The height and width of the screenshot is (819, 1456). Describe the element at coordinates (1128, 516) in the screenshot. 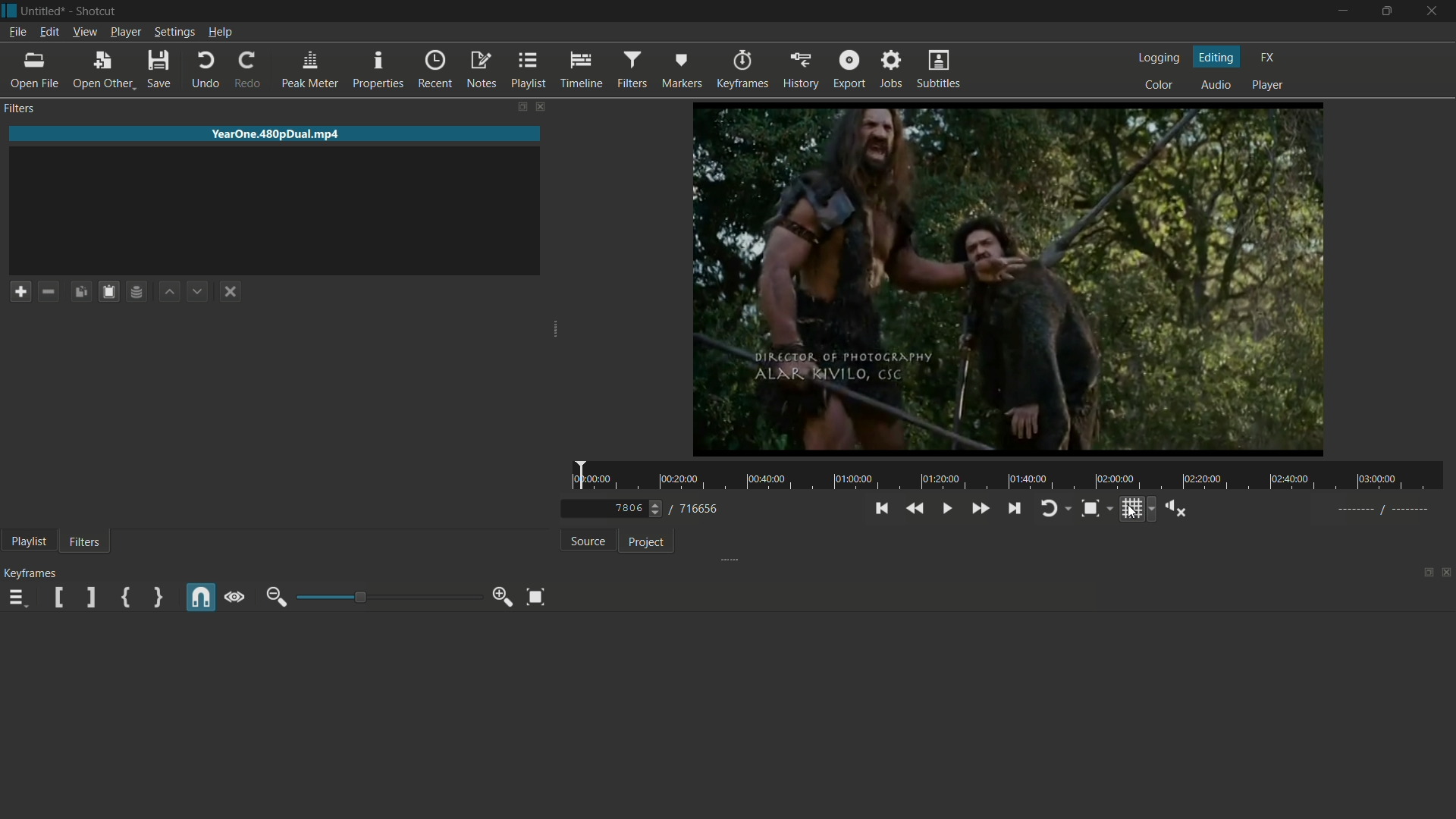

I see `cursor` at that location.